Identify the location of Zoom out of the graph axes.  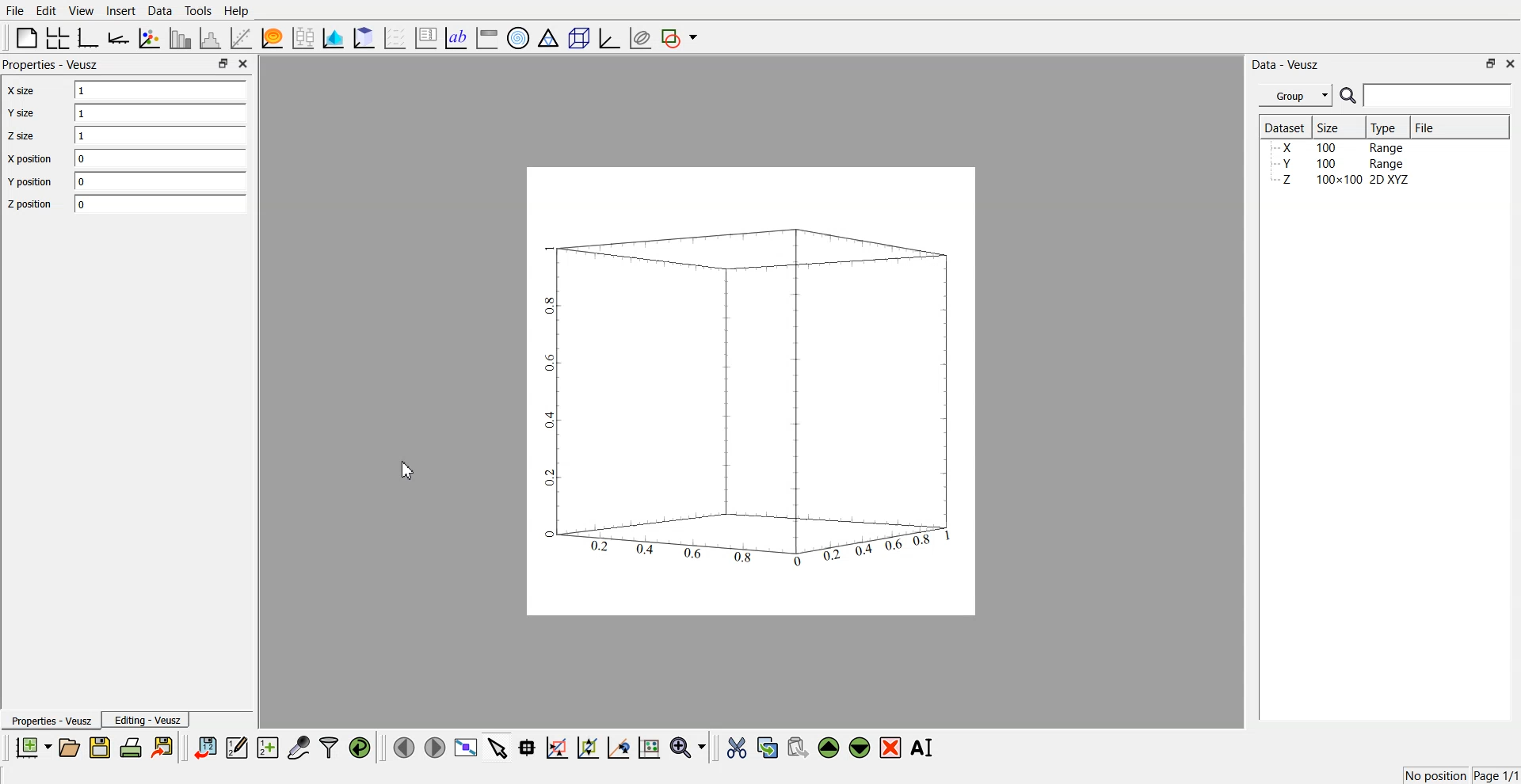
(588, 747).